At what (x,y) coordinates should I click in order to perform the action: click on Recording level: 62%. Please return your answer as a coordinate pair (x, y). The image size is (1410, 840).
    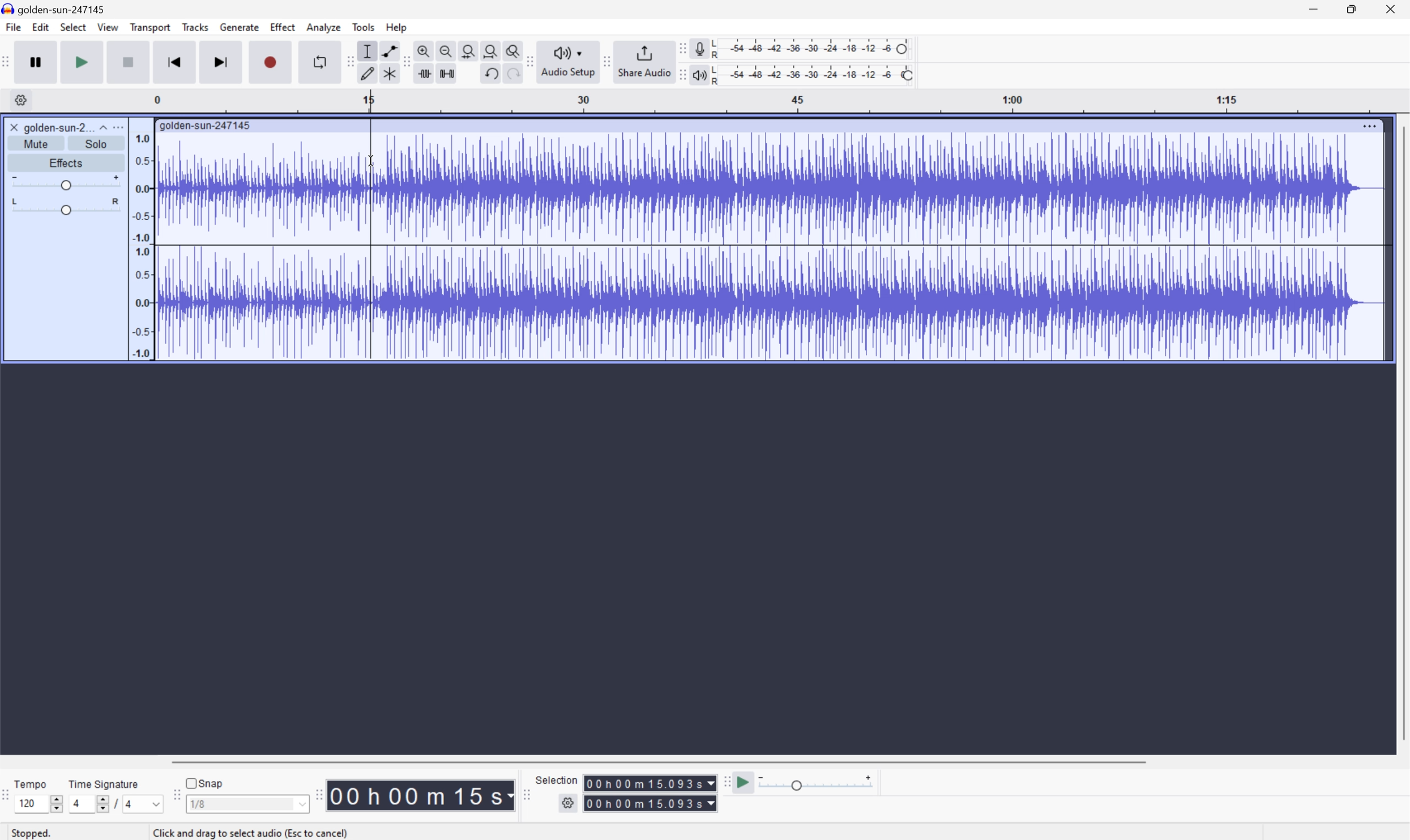
    Looking at the image, I should click on (814, 48).